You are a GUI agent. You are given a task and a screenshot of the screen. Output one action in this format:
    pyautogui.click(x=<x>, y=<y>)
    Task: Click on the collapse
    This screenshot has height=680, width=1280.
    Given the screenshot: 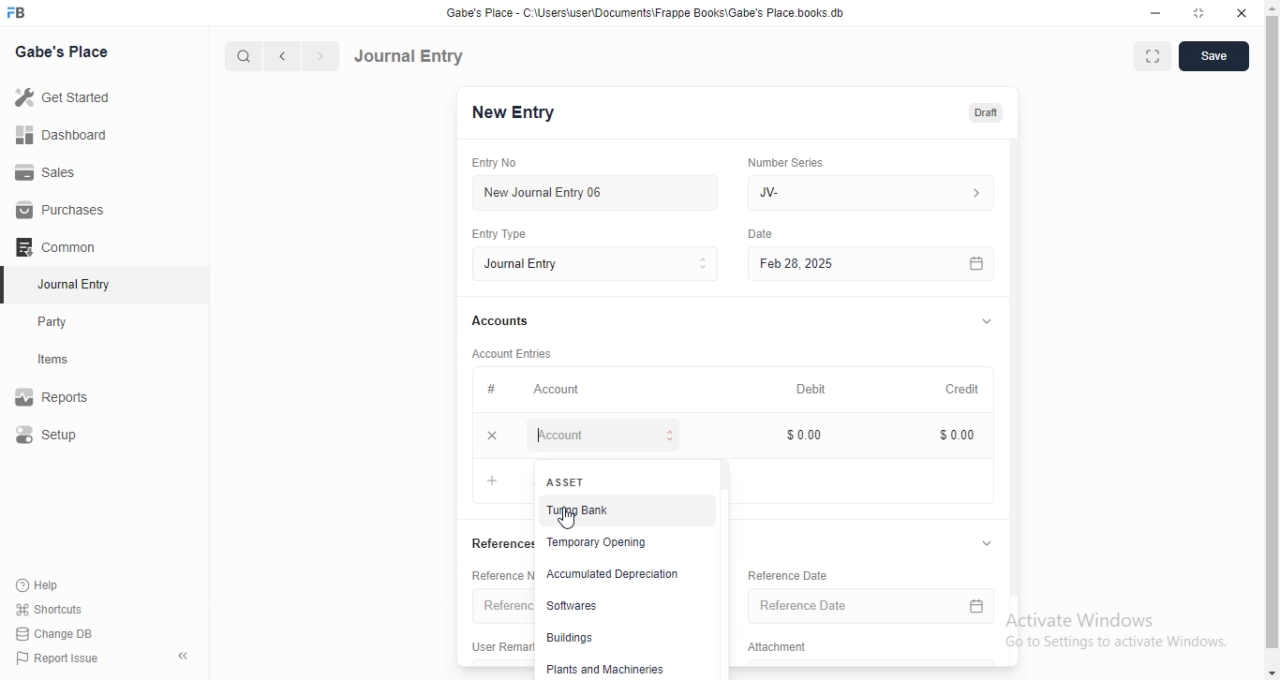 What is the action you would take?
    pyautogui.click(x=993, y=323)
    